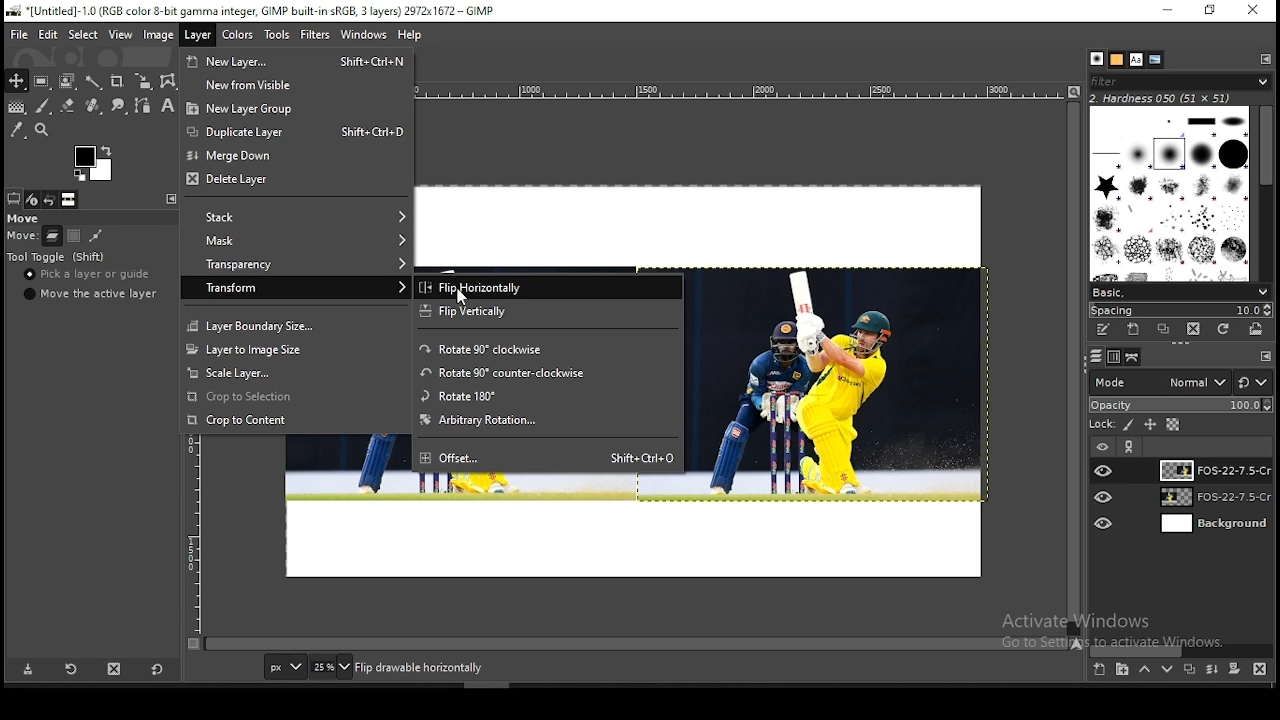  What do you see at coordinates (116, 80) in the screenshot?
I see `crop tool` at bounding box center [116, 80].